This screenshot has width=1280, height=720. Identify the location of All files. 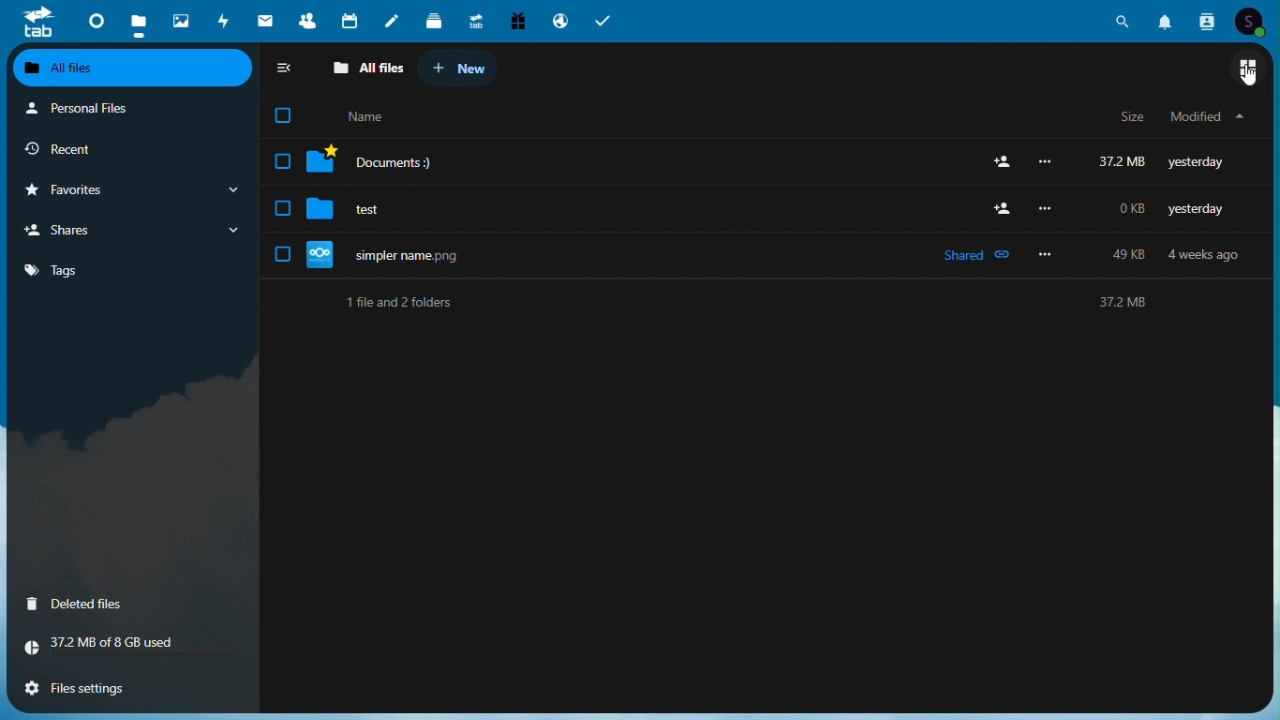
(368, 66).